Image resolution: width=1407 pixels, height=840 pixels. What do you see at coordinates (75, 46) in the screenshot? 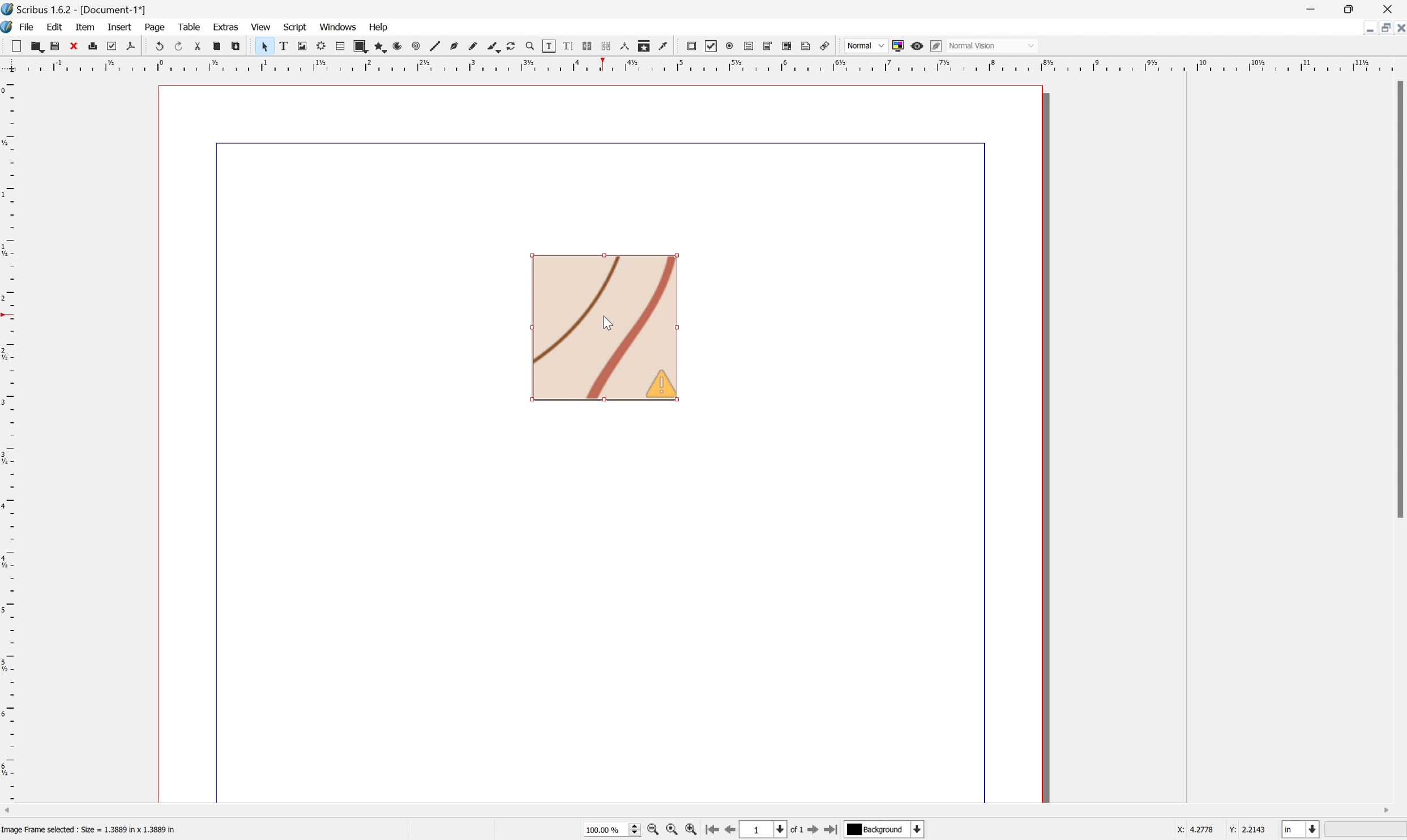
I see `Close` at bounding box center [75, 46].